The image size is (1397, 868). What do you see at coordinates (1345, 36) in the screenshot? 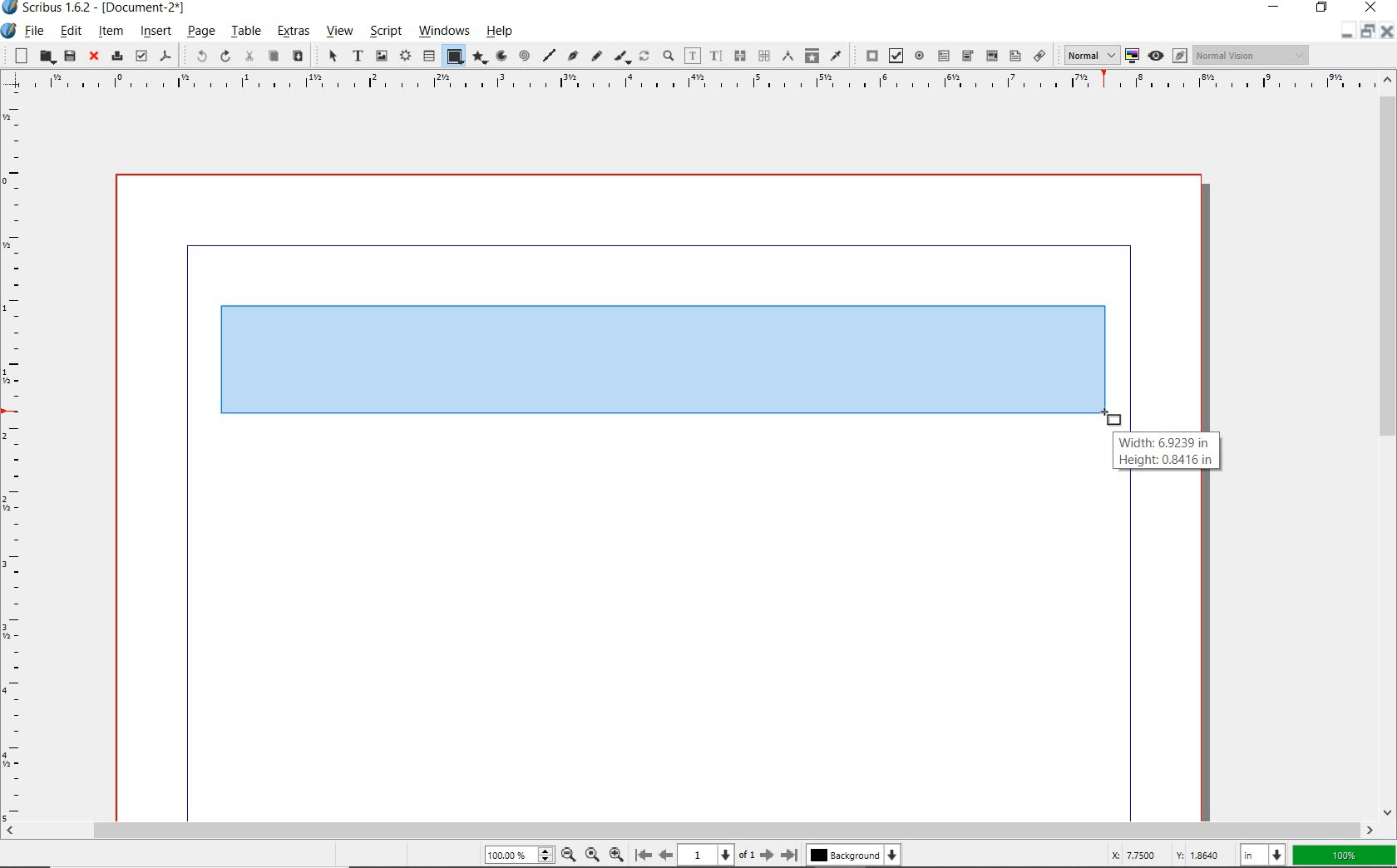
I see `minimize` at bounding box center [1345, 36].